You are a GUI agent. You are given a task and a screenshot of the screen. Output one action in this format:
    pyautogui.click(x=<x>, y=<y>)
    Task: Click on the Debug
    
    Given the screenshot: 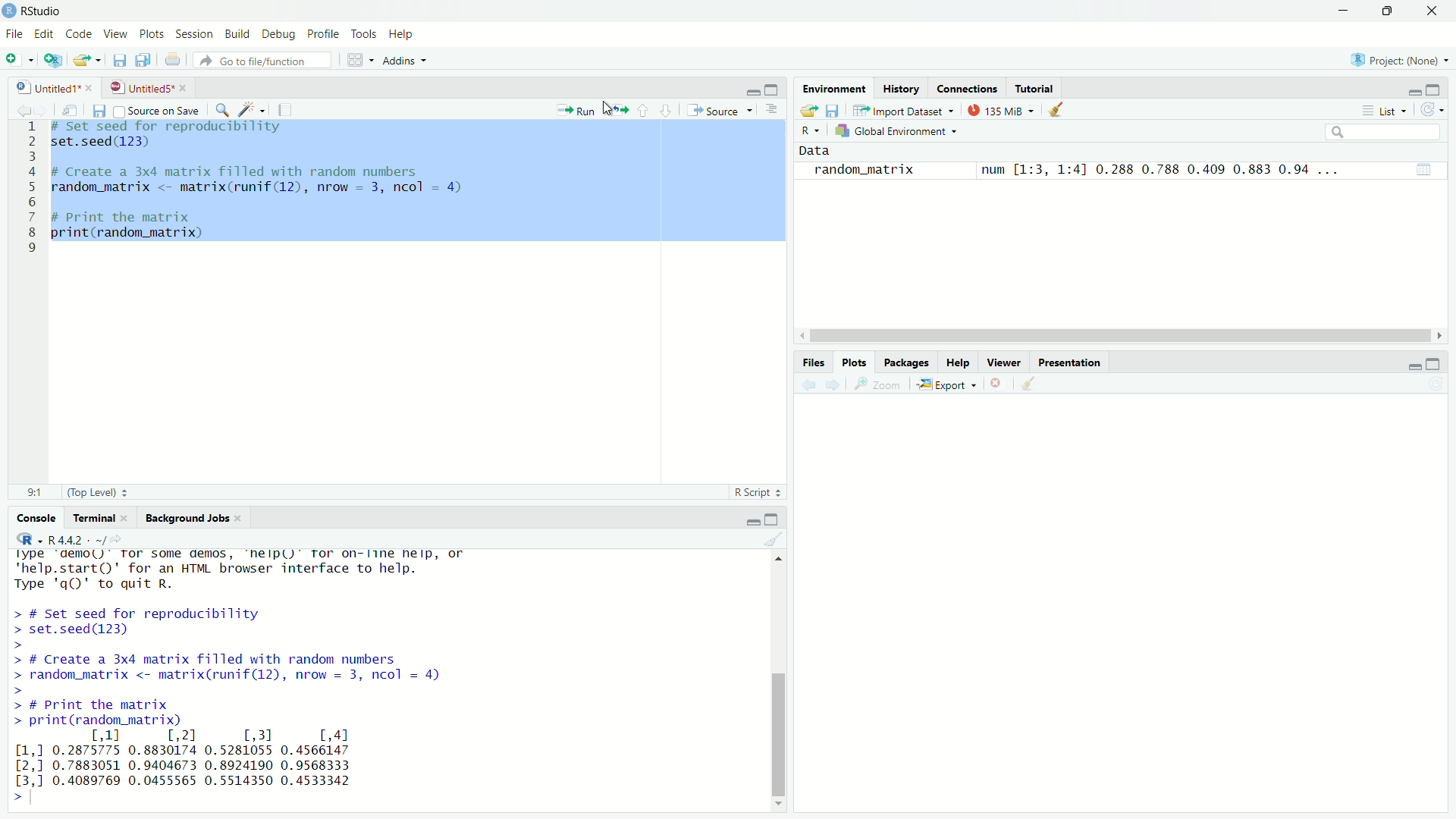 What is the action you would take?
    pyautogui.click(x=279, y=33)
    